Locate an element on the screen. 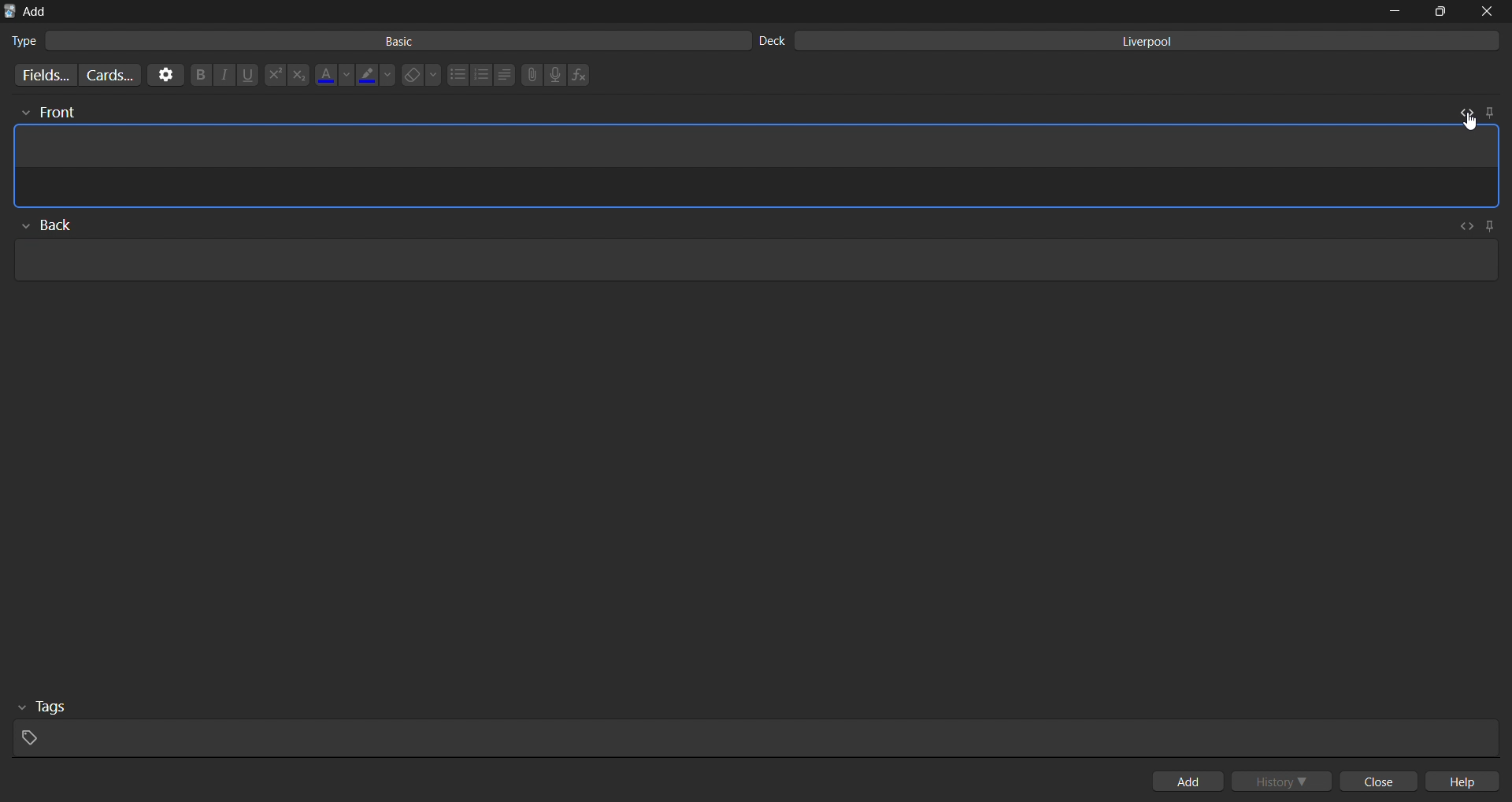 This screenshot has width=1512, height=802. tags input field is located at coordinates (750, 726).